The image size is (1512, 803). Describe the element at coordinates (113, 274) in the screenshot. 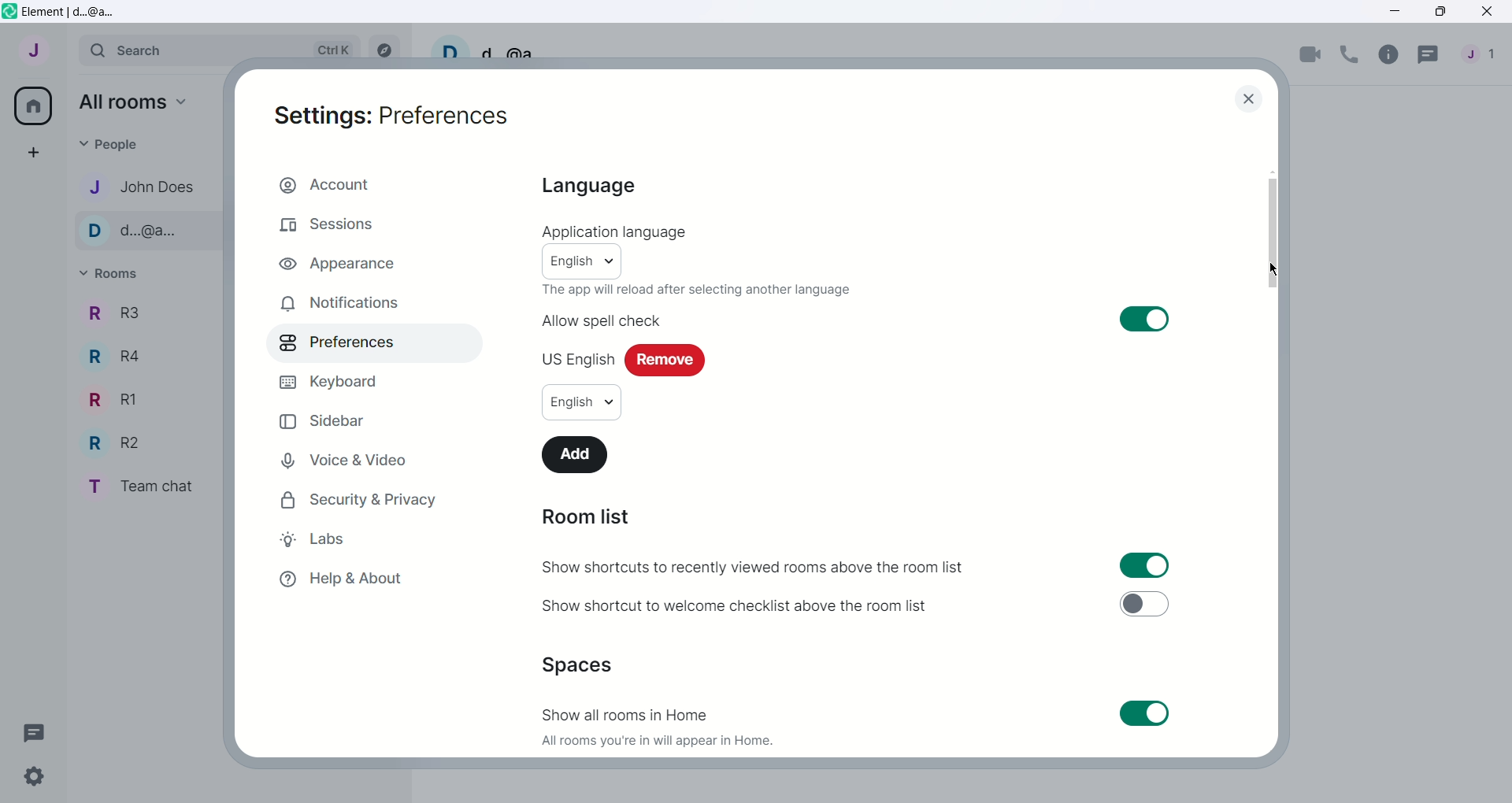

I see `Rooms` at that location.